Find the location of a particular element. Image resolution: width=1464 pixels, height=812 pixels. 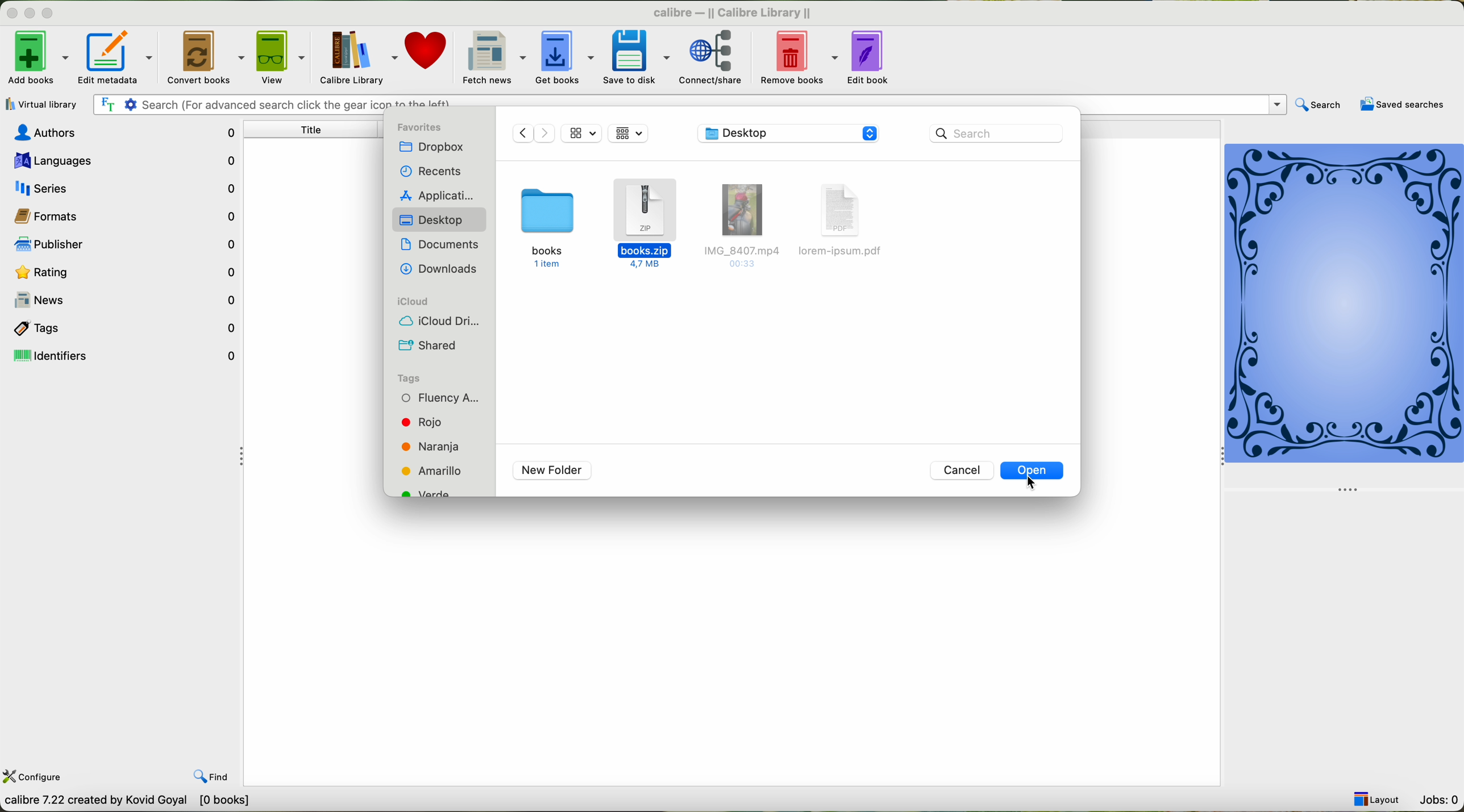

downloads is located at coordinates (439, 269).